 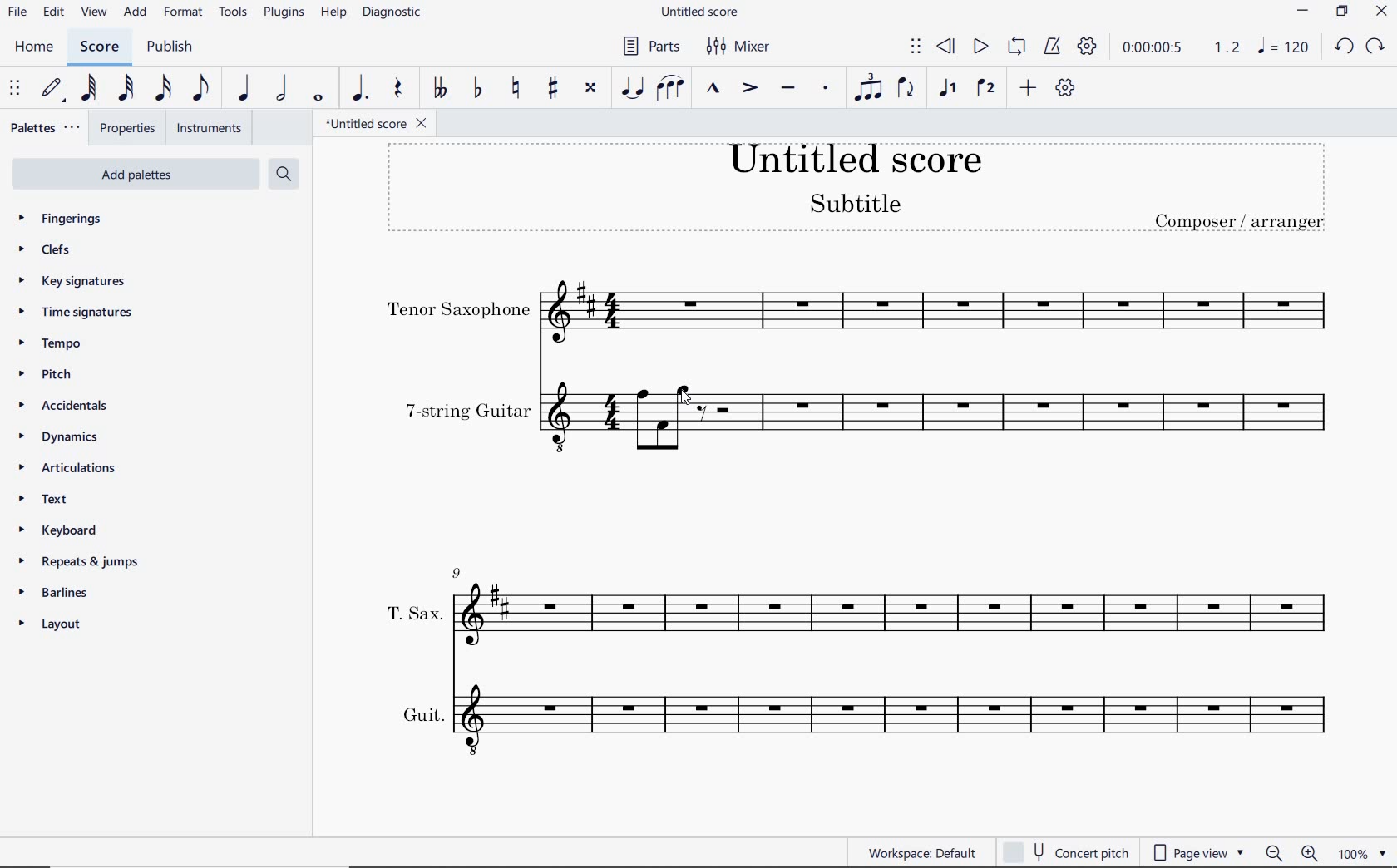 I want to click on TOGGLE NATURAL, so click(x=515, y=88).